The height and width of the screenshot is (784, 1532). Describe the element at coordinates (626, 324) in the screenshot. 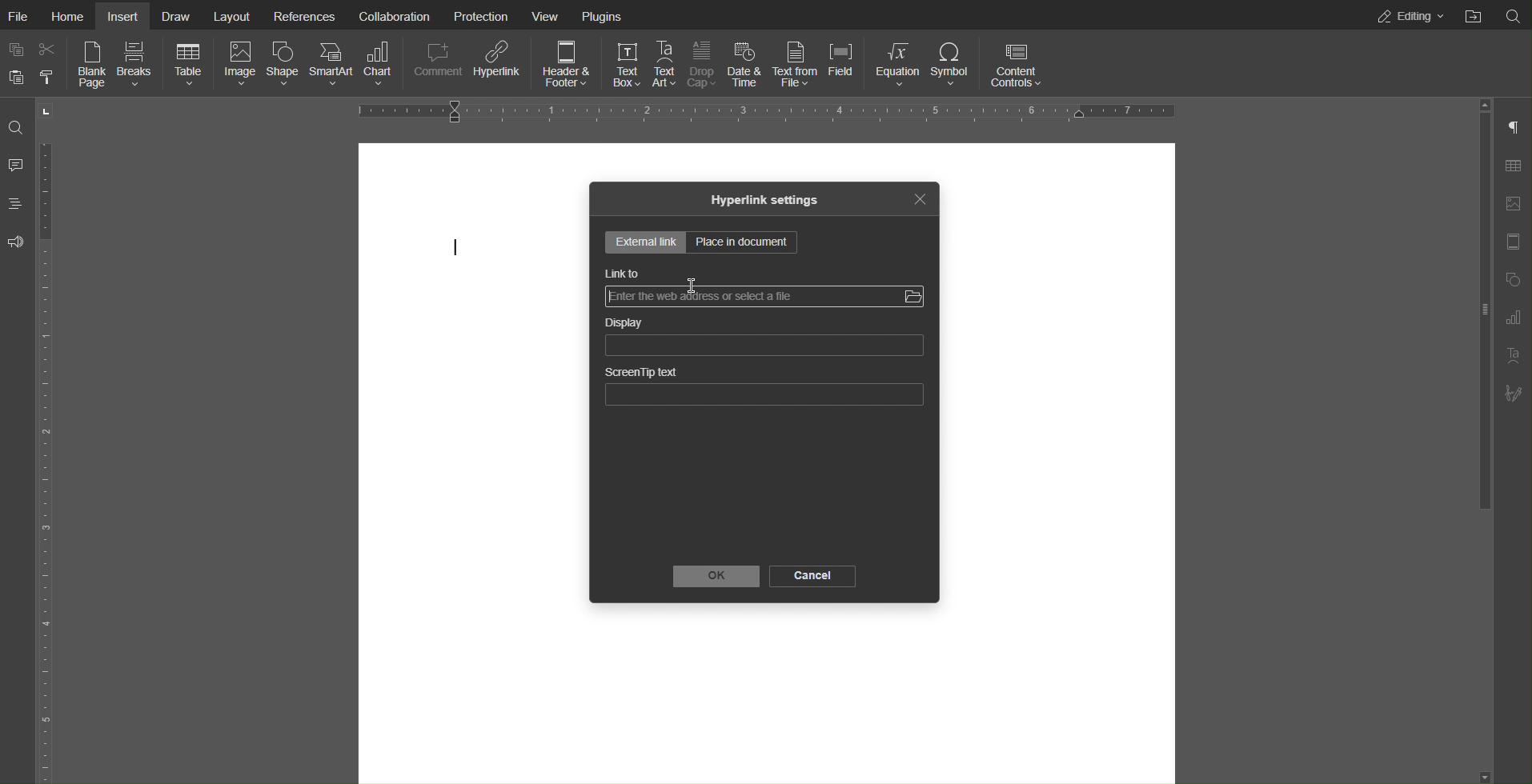

I see `Display` at that location.